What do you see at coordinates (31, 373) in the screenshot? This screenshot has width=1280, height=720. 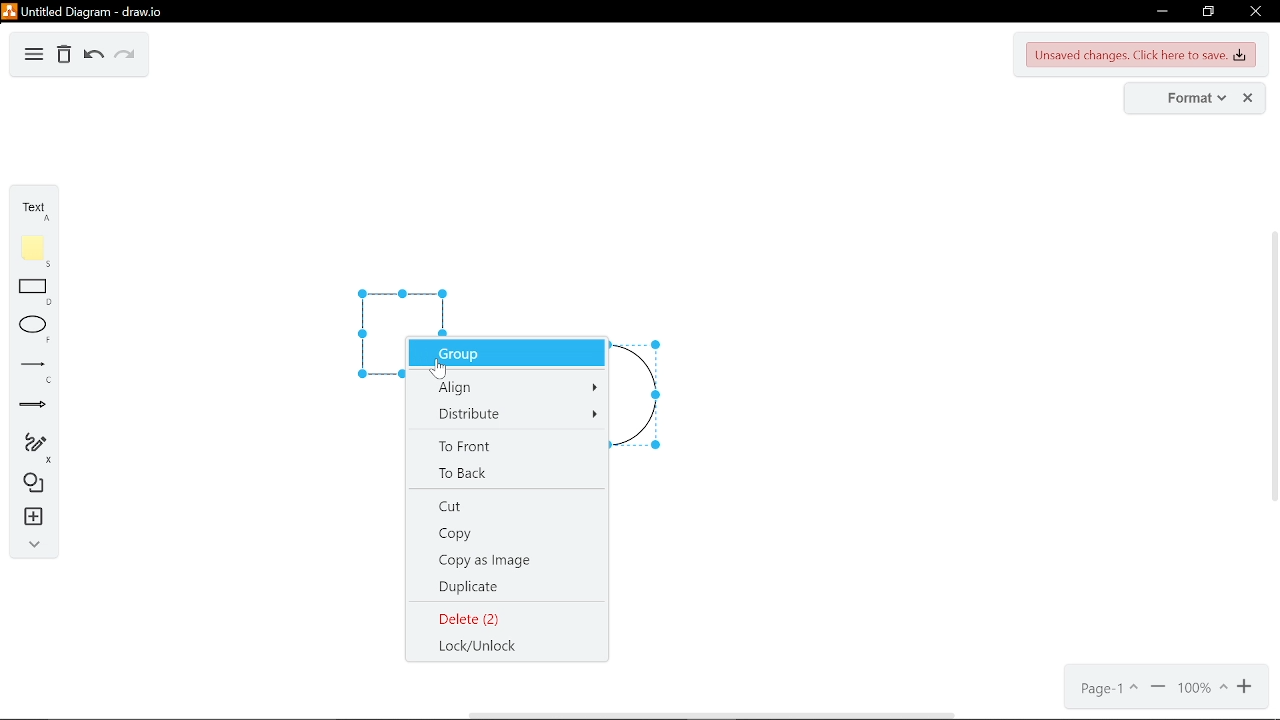 I see `line` at bounding box center [31, 373].